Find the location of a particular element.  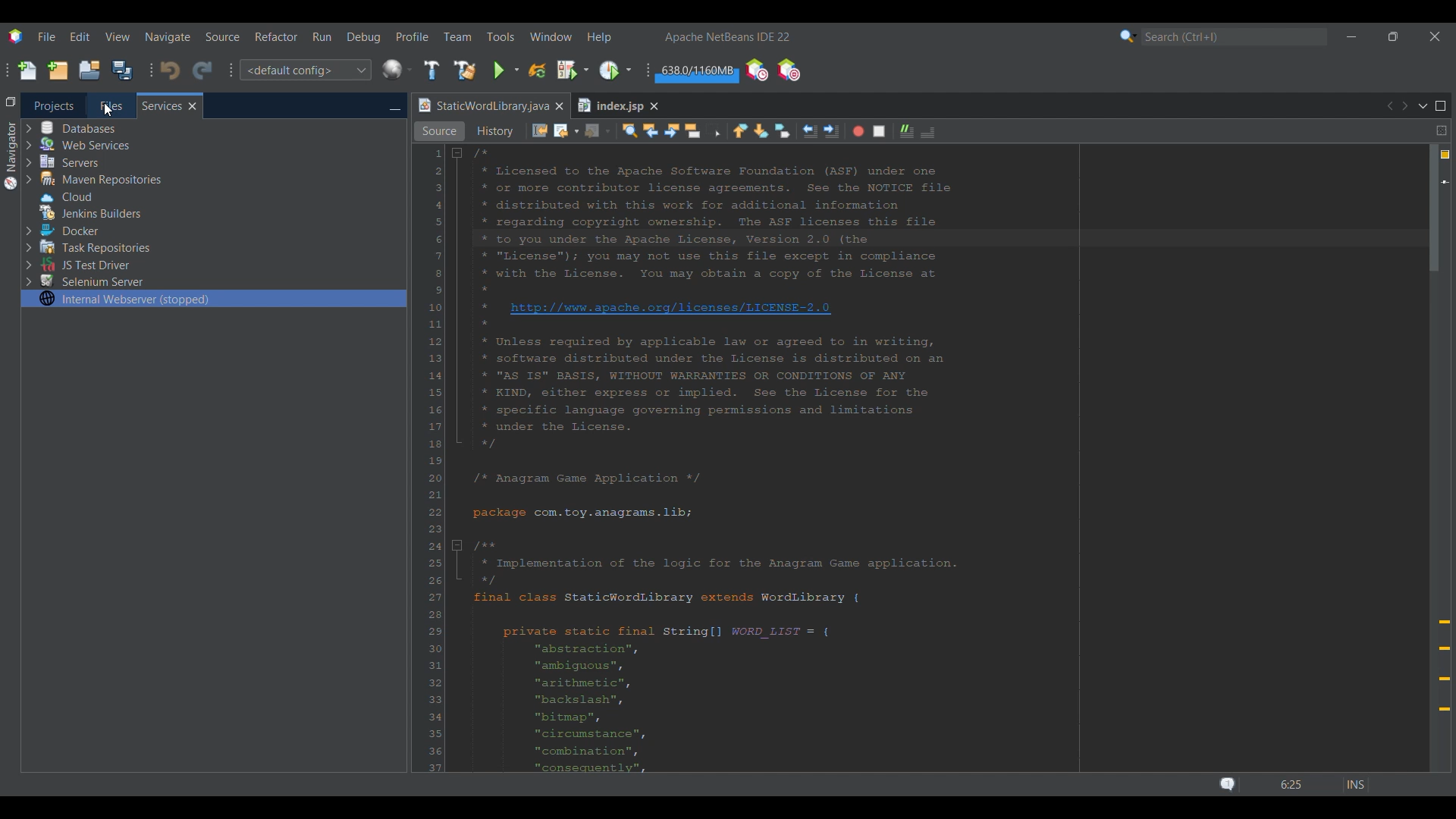

Open project is located at coordinates (89, 70).